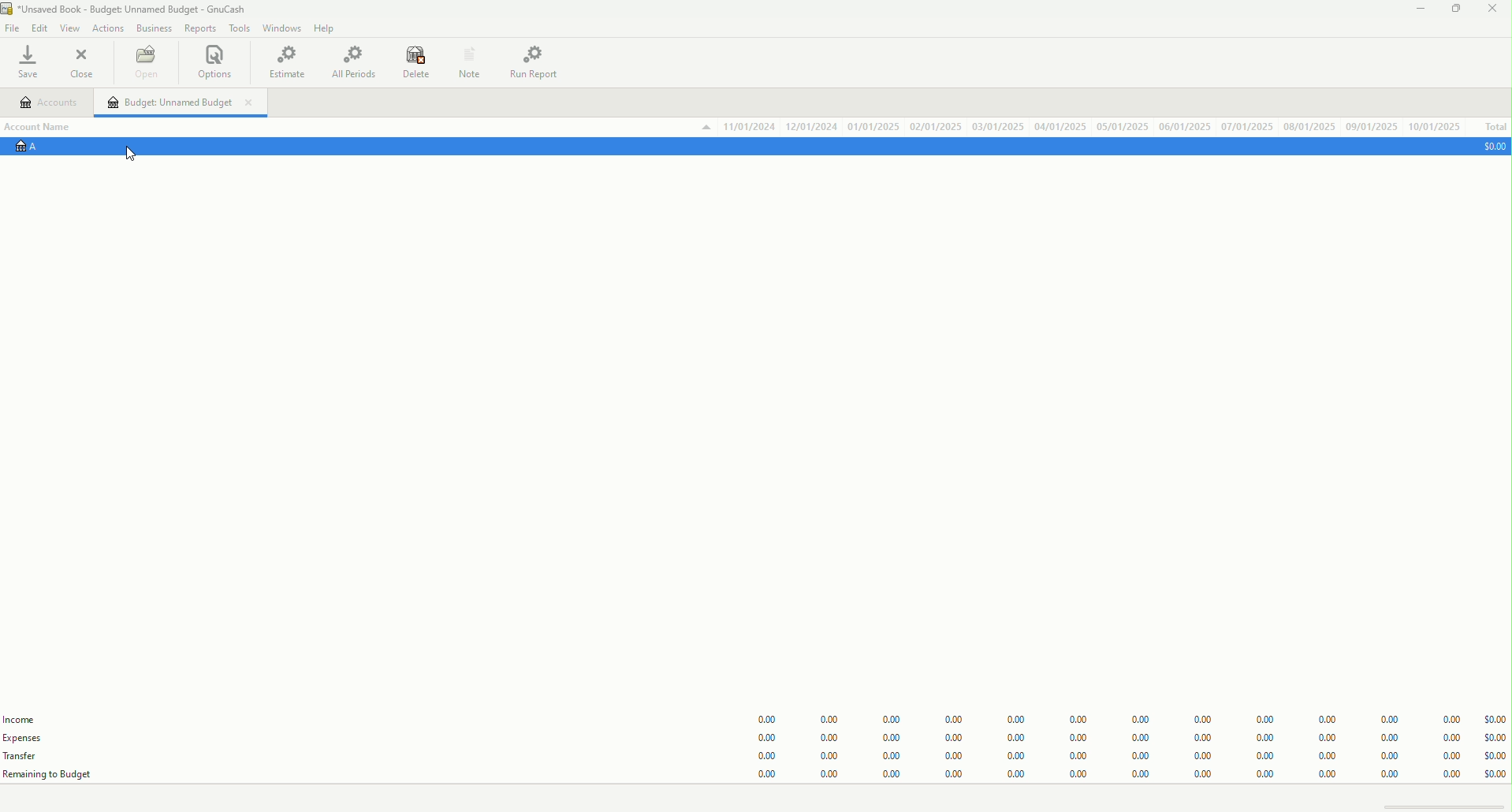 The image size is (1512, 812). I want to click on Tools, so click(236, 28).